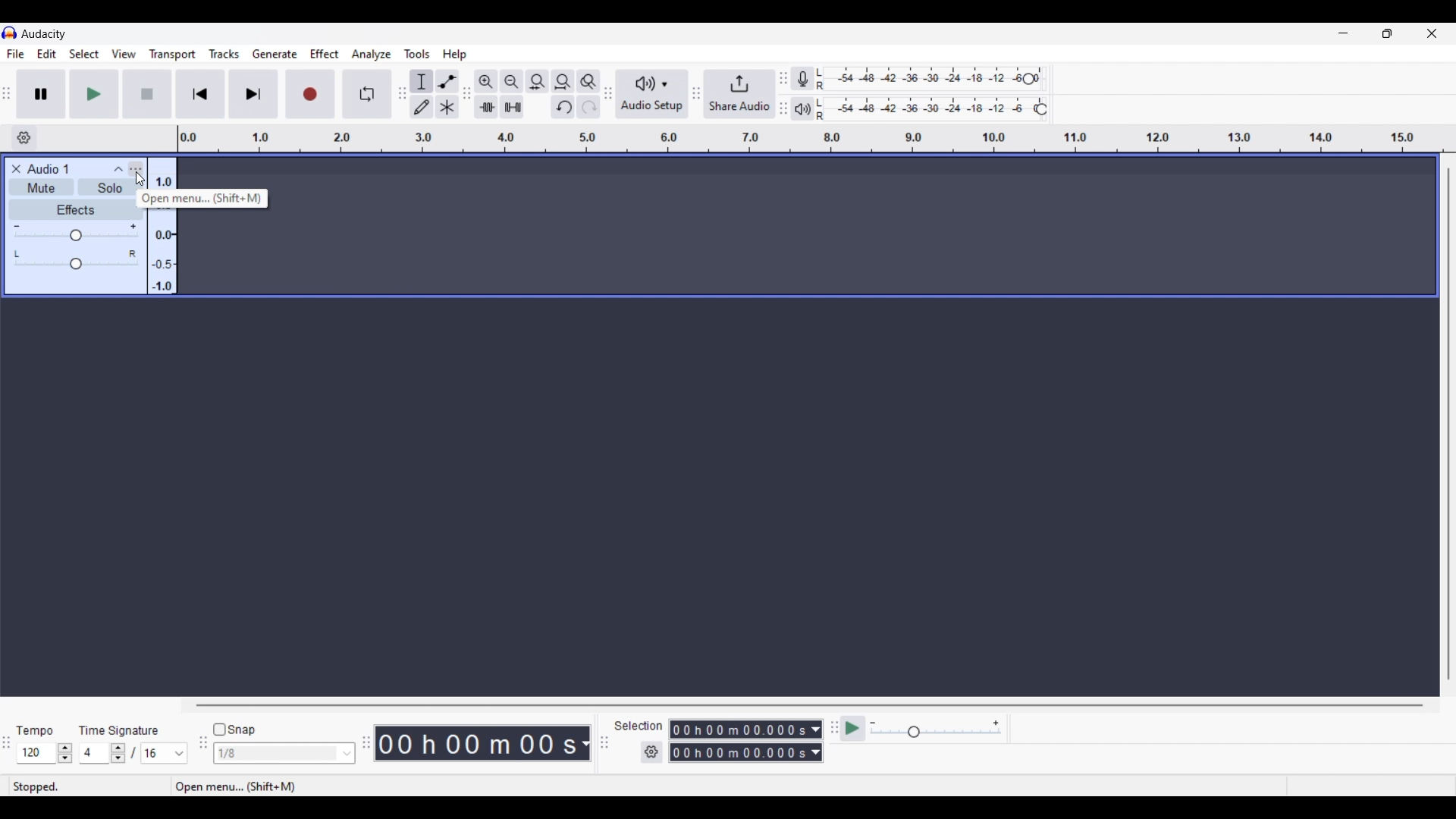 Image resolution: width=1456 pixels, height=819 pixels. Describe the element at coordinates (34, 730) in the screenshot. I see `Tempo` at that location.